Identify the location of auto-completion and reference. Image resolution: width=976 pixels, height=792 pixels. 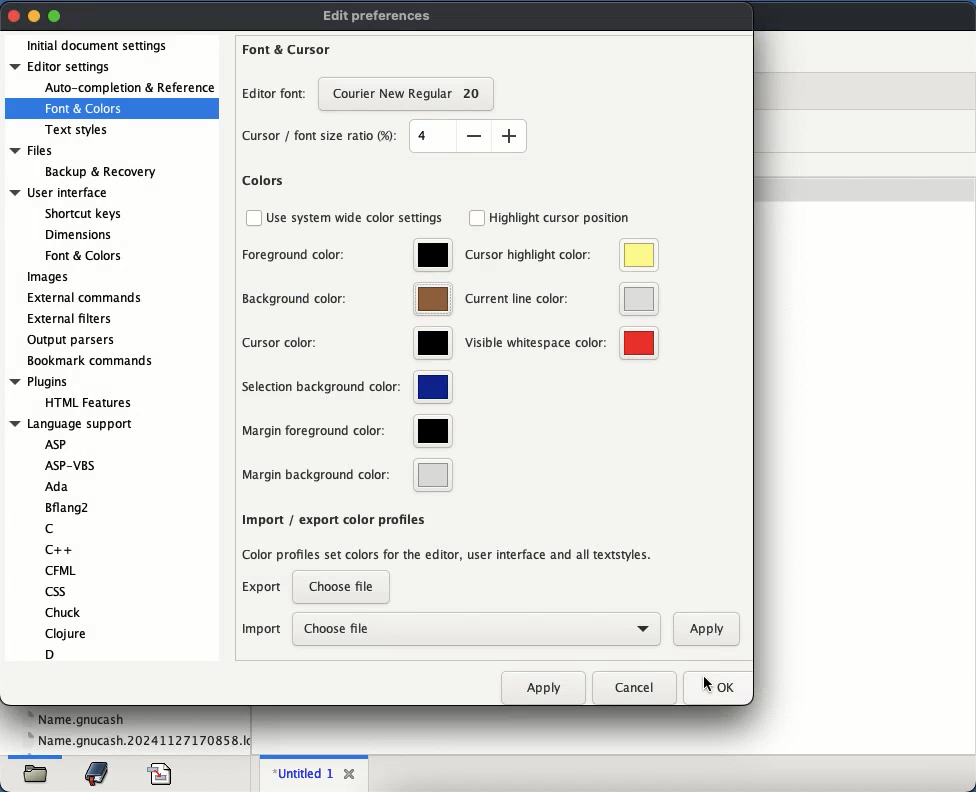
(124, 87).